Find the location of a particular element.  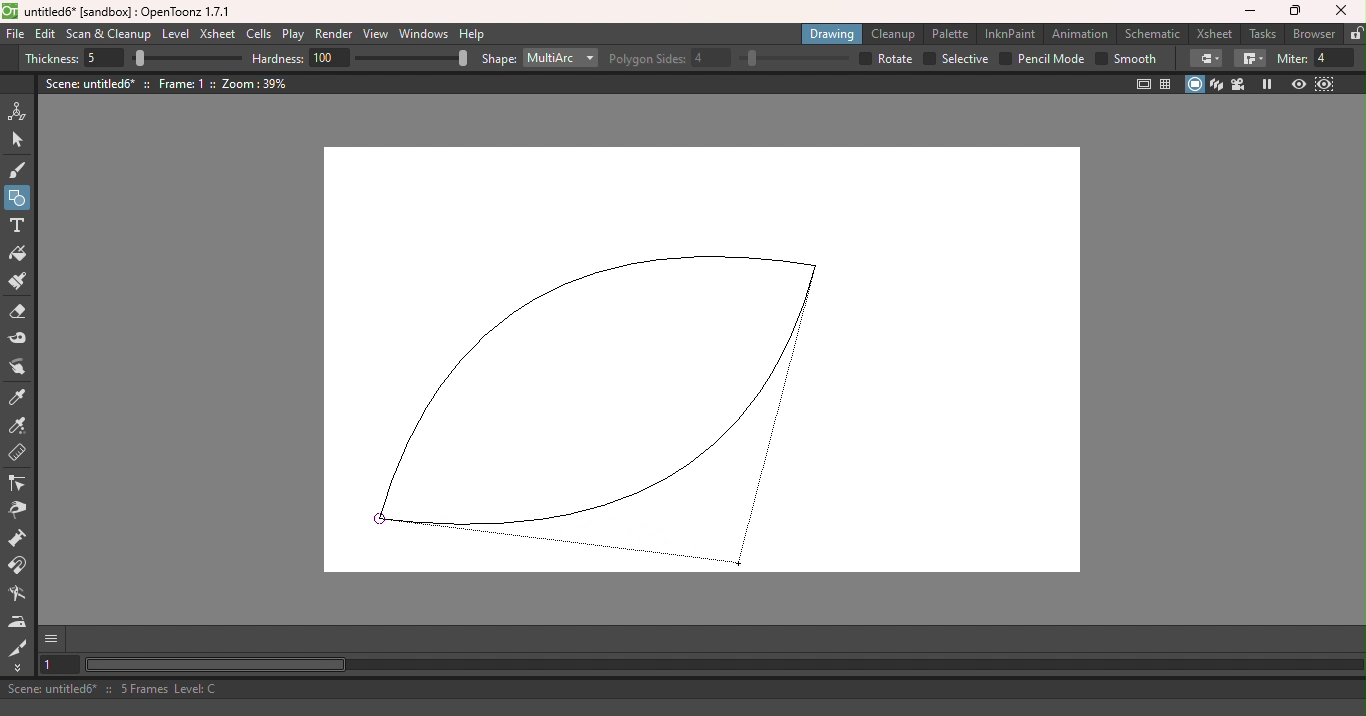

Control point editor tool is located at coordinates (21, 485).